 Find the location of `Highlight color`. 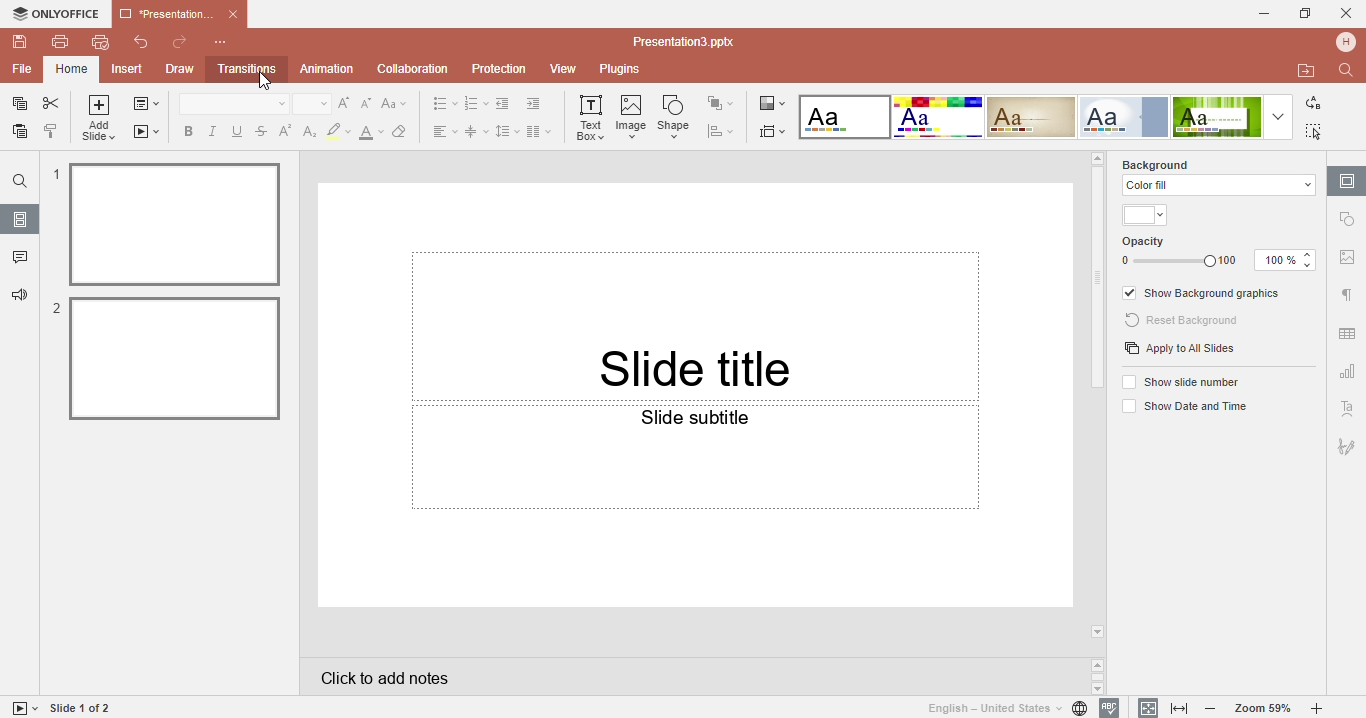

Highlight color is located at coordinates (339, 130).